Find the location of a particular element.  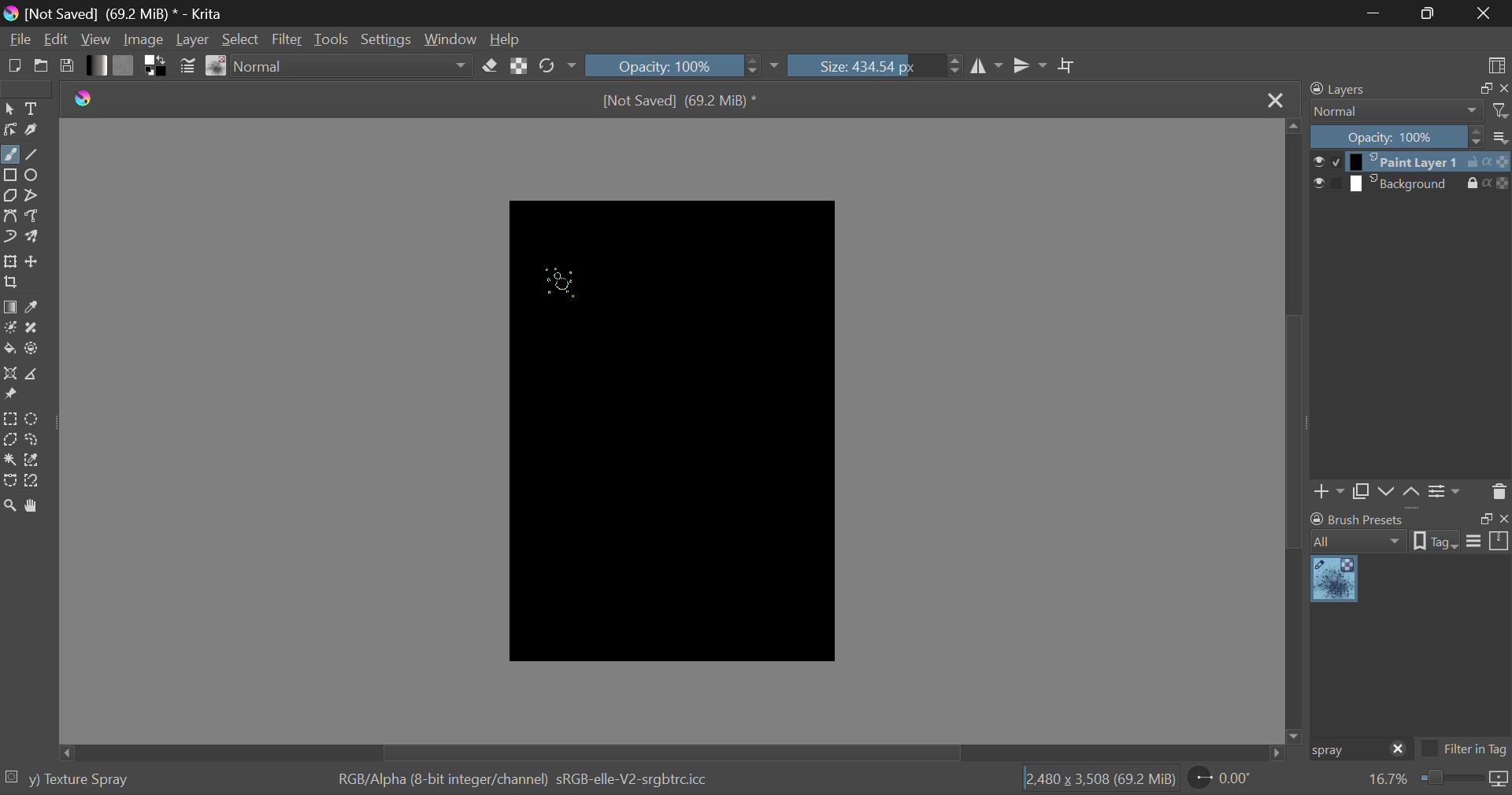

Delete Layer is located at coordinates (1497, 490).